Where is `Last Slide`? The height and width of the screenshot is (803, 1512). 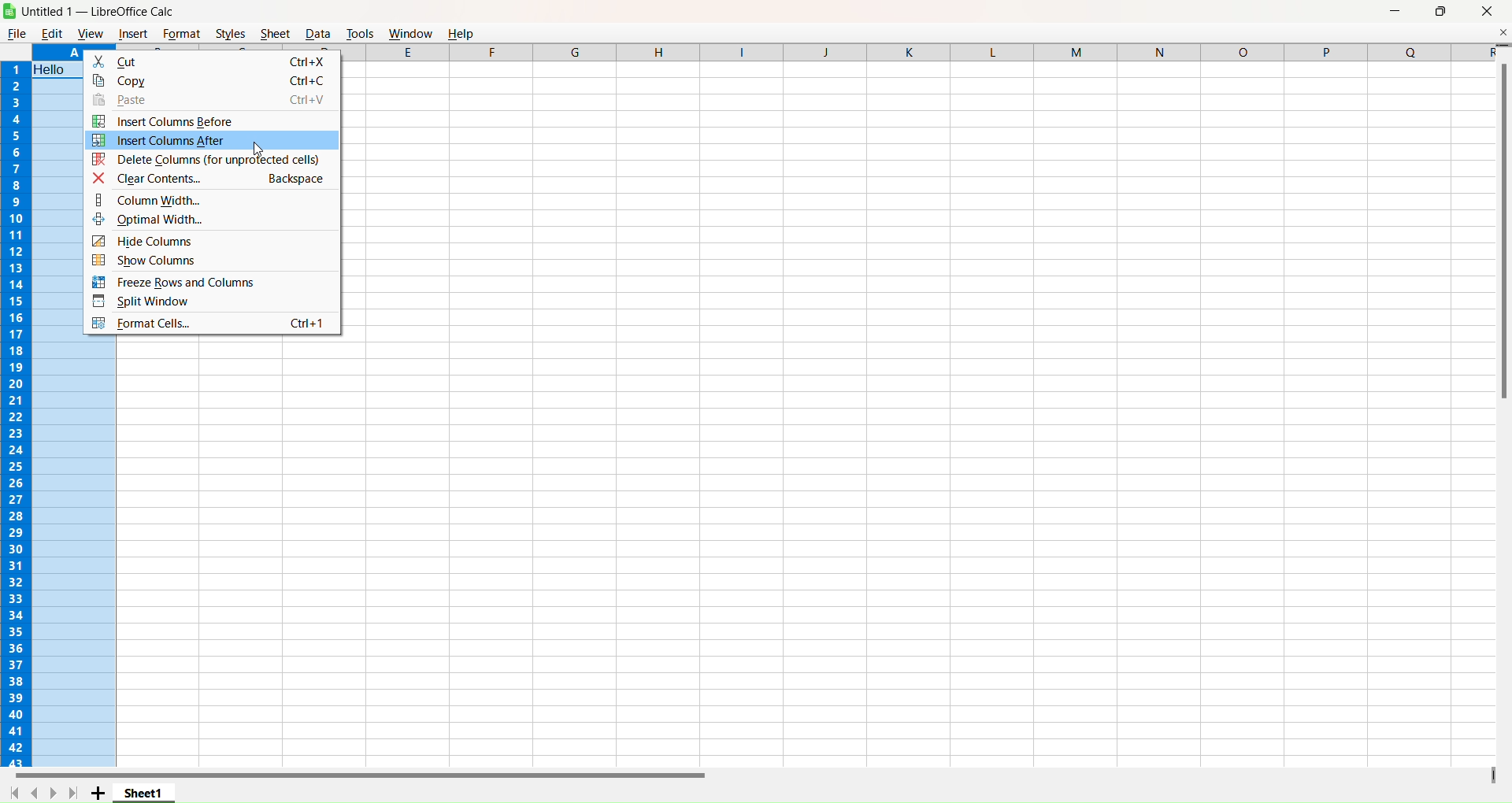
Last Slide is located at coordinates (73, 793).